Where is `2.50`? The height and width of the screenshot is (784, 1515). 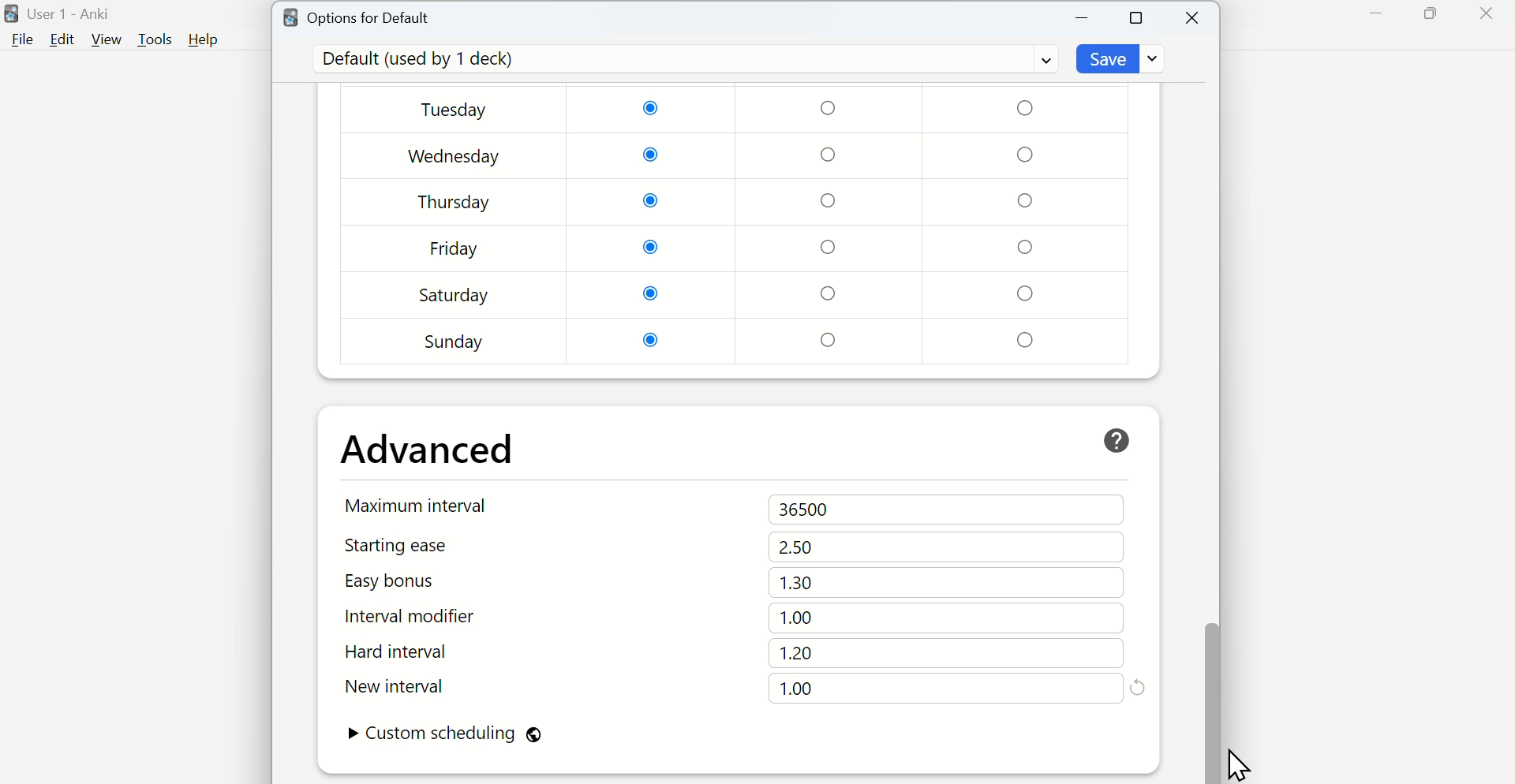
2.50 is located at coordinates (796, 547).